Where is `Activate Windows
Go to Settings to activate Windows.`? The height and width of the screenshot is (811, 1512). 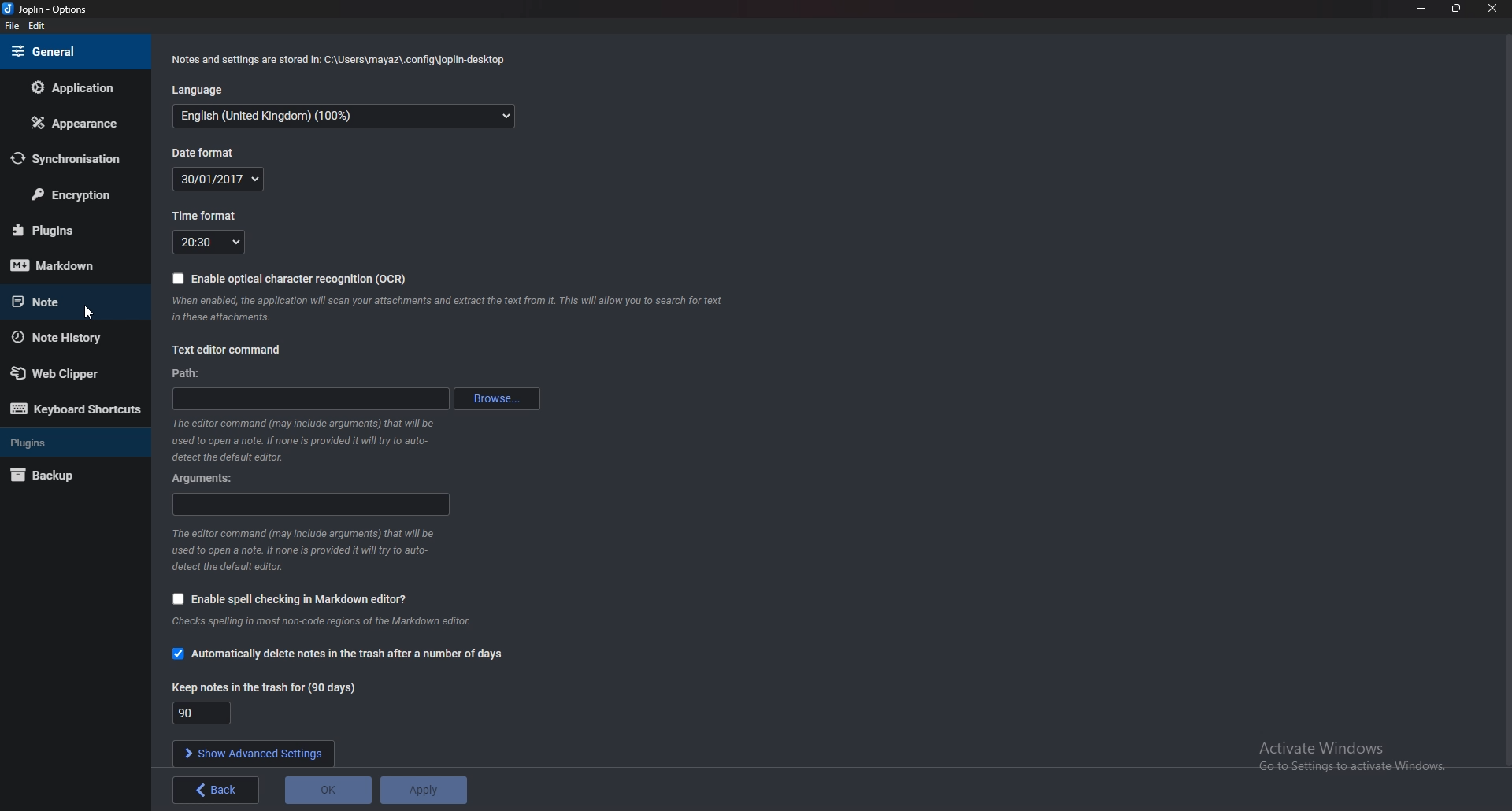
Activate Windows
Go to Settings to activate Windows. is located at coordinates (1358, 759).